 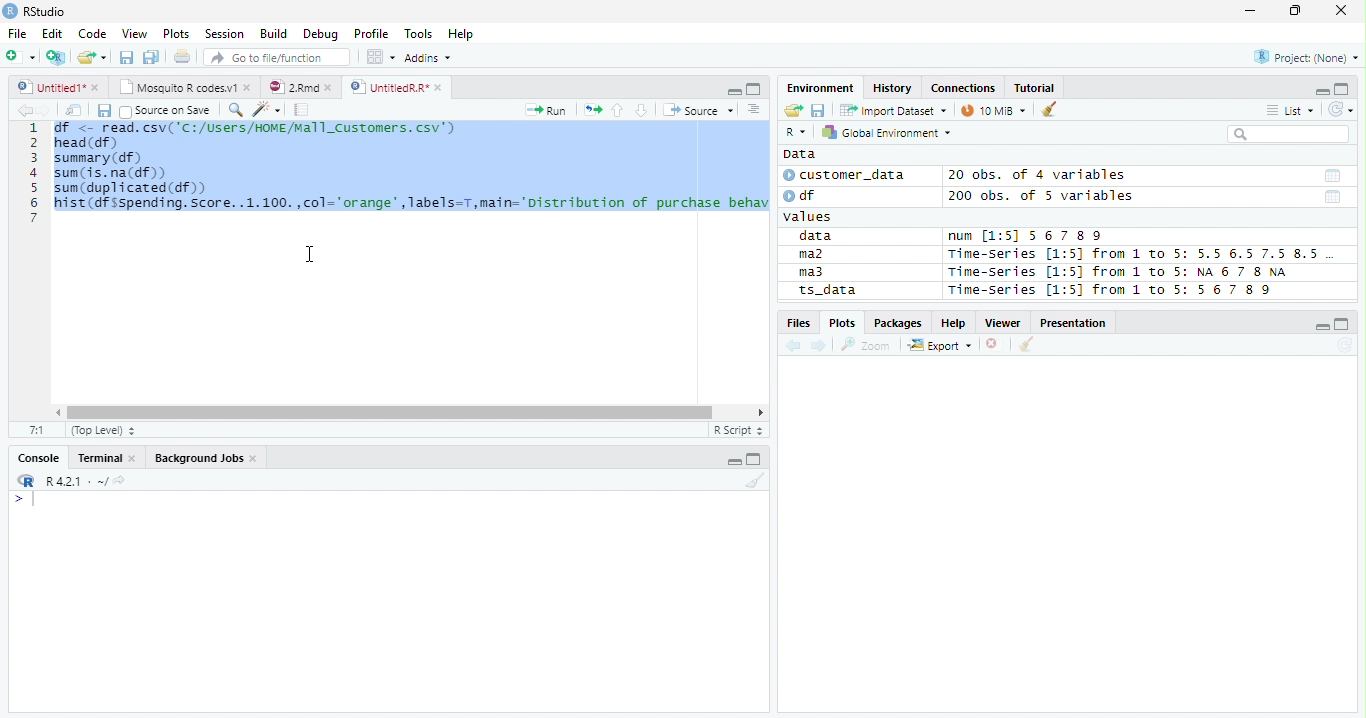 I want to click on Clean, so click(x=1051, y=108).